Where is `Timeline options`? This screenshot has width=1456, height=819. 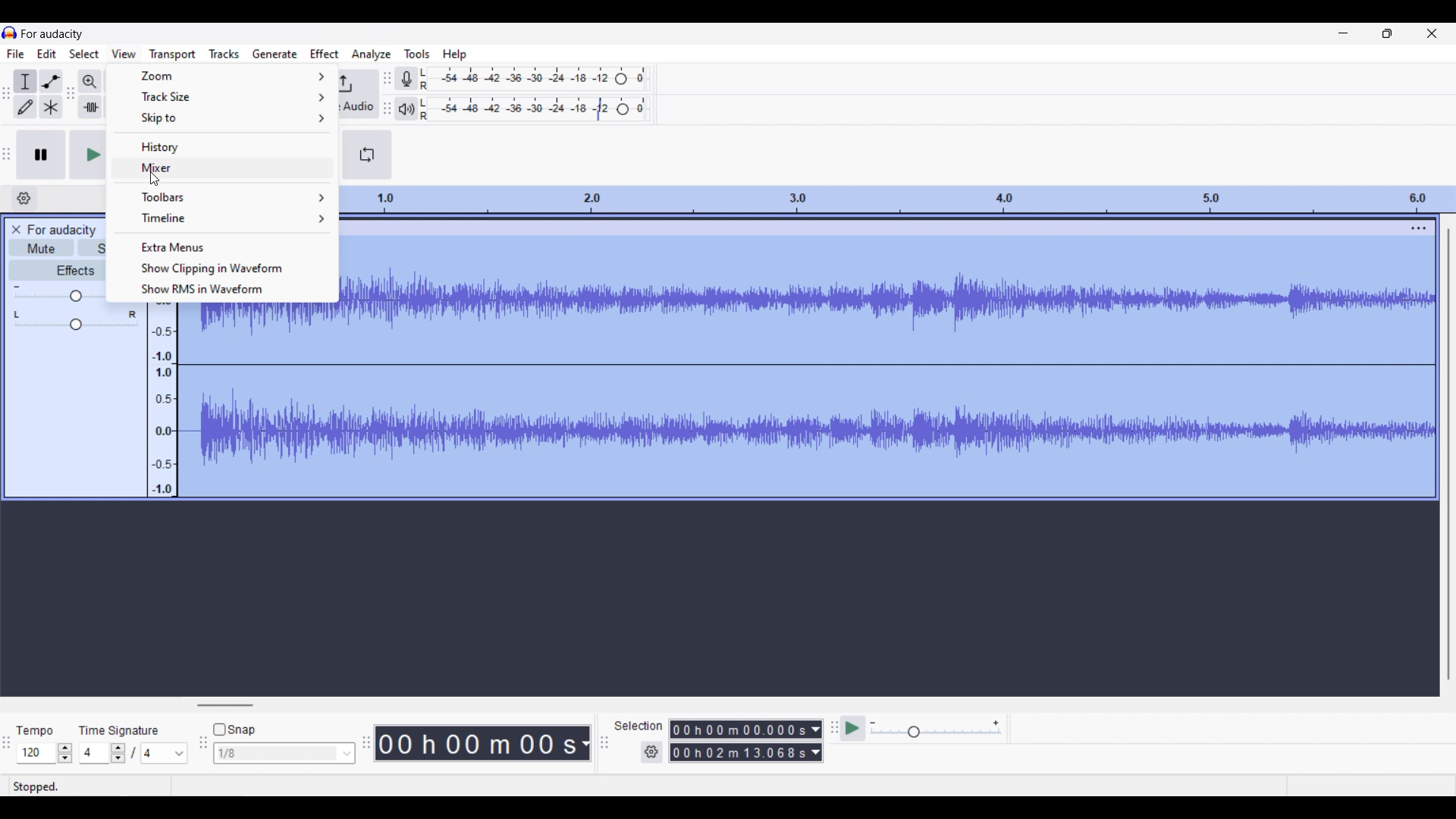 Timeline options is located at coordinates (24, 199).